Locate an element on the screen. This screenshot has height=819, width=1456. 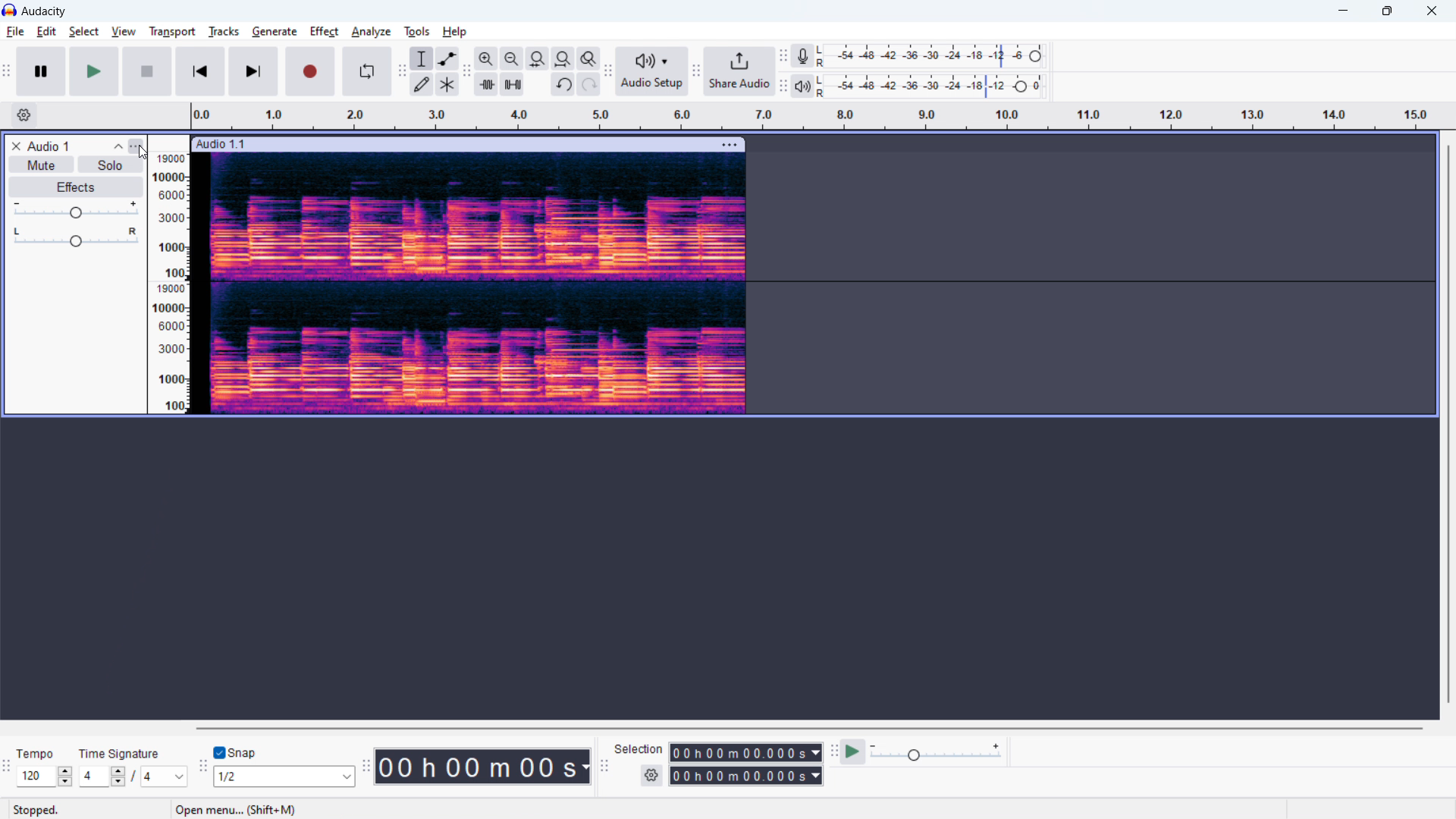
record is located at coordinates (309, 72).